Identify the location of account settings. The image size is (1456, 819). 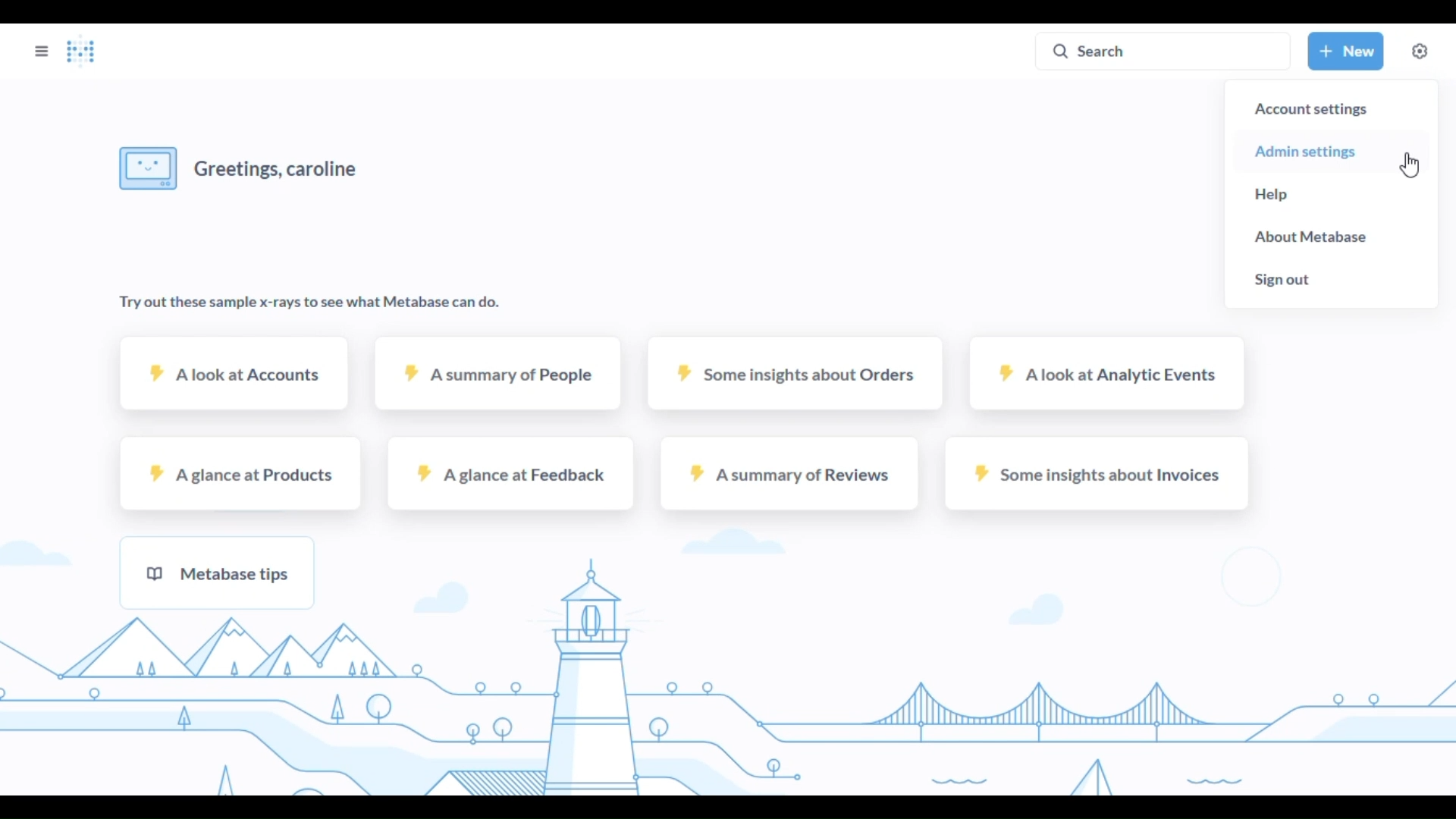
(1310, 110).